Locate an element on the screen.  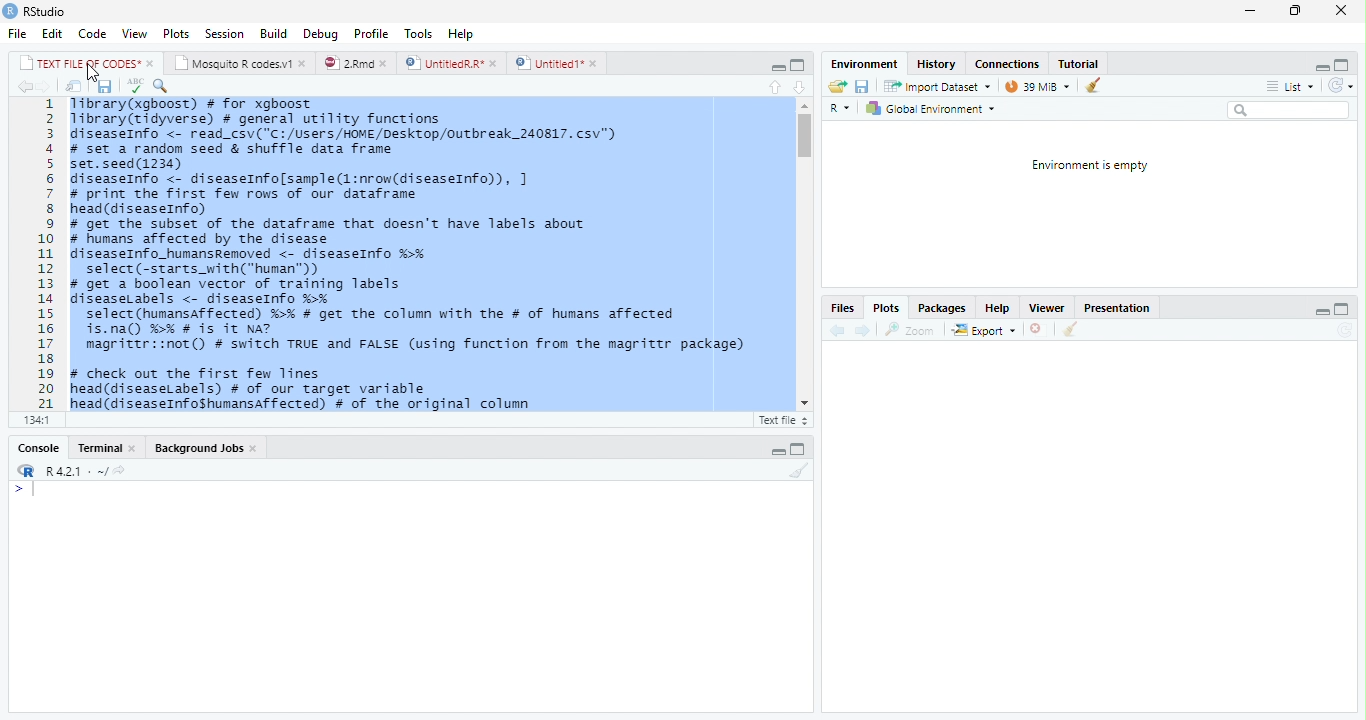
Scroll is located at coordinates (804, 254).